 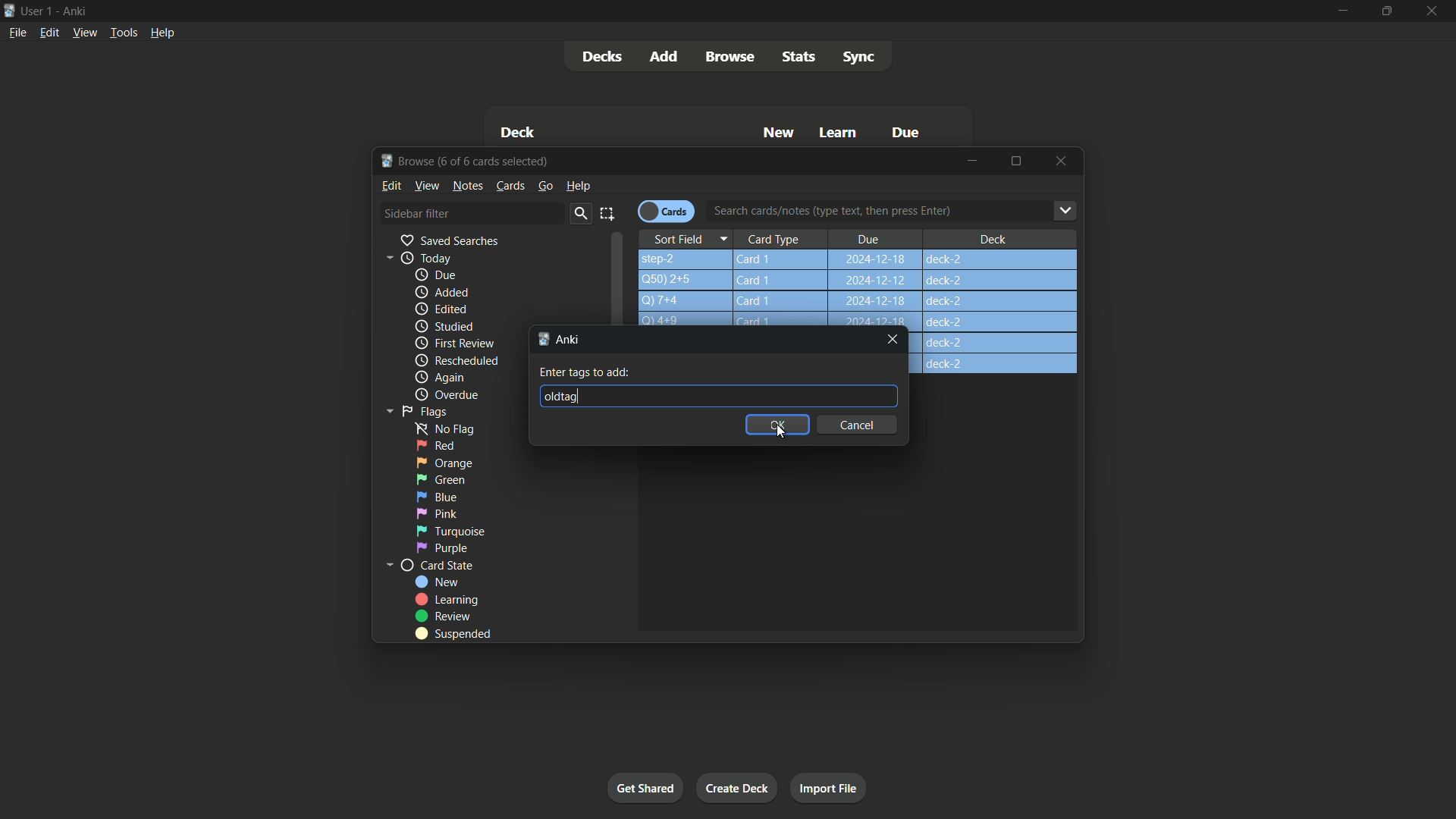 I want to click on New, so click(x=780, y=133).